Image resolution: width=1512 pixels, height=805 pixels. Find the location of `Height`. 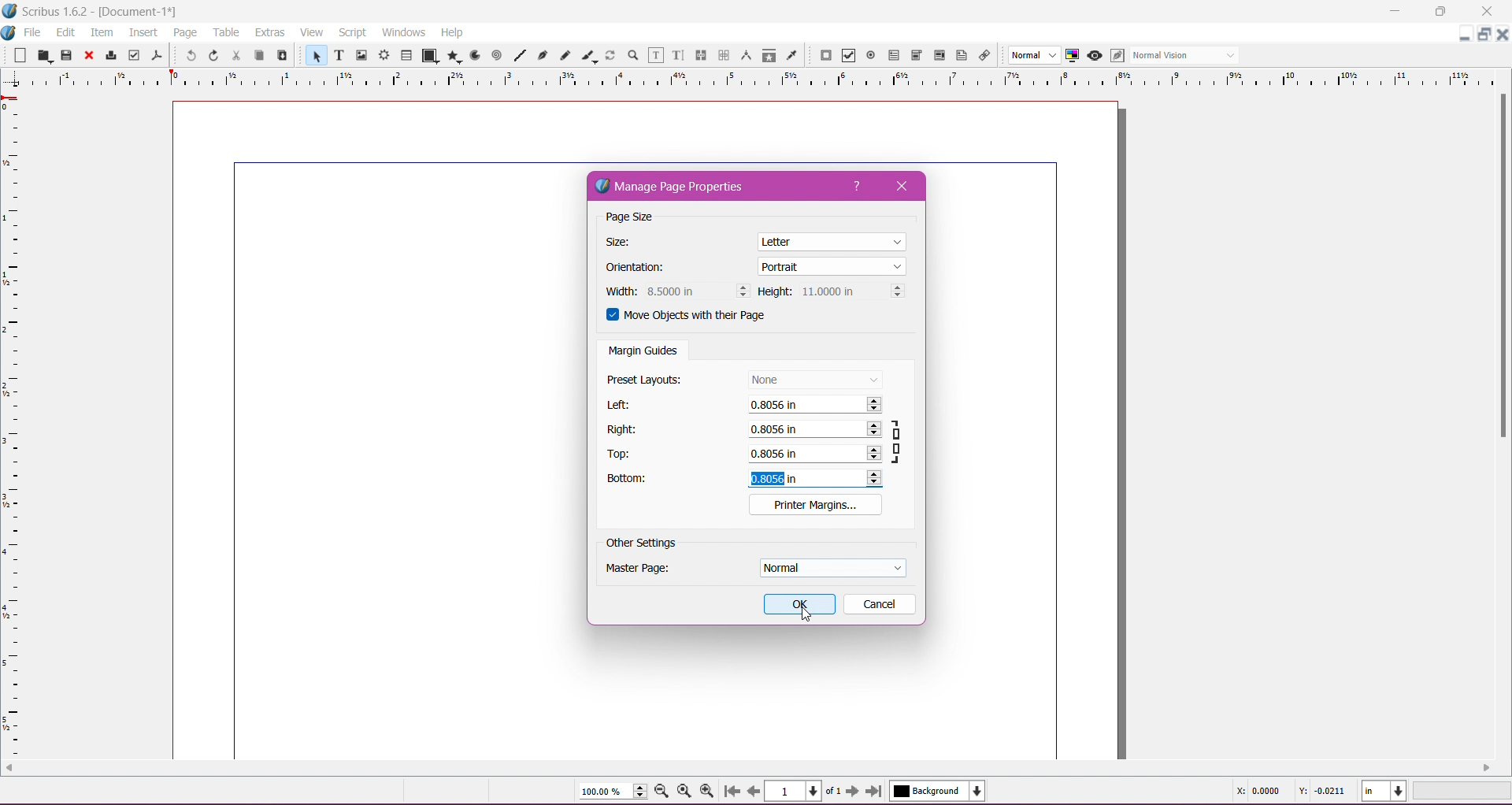

Height is located at coordinates (775, 292).